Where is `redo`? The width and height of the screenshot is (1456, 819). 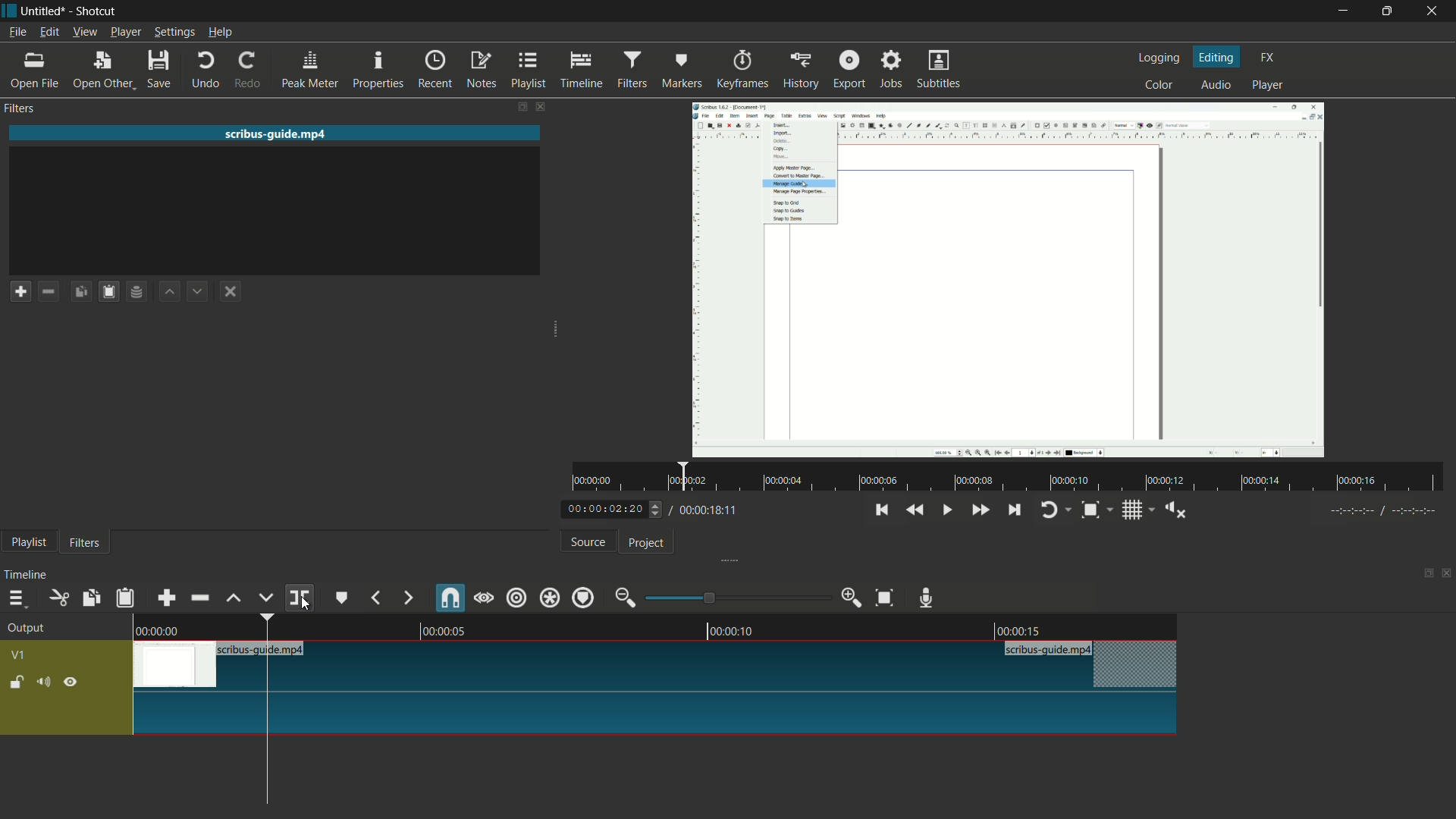
redo is located at coordinates (249, 69).